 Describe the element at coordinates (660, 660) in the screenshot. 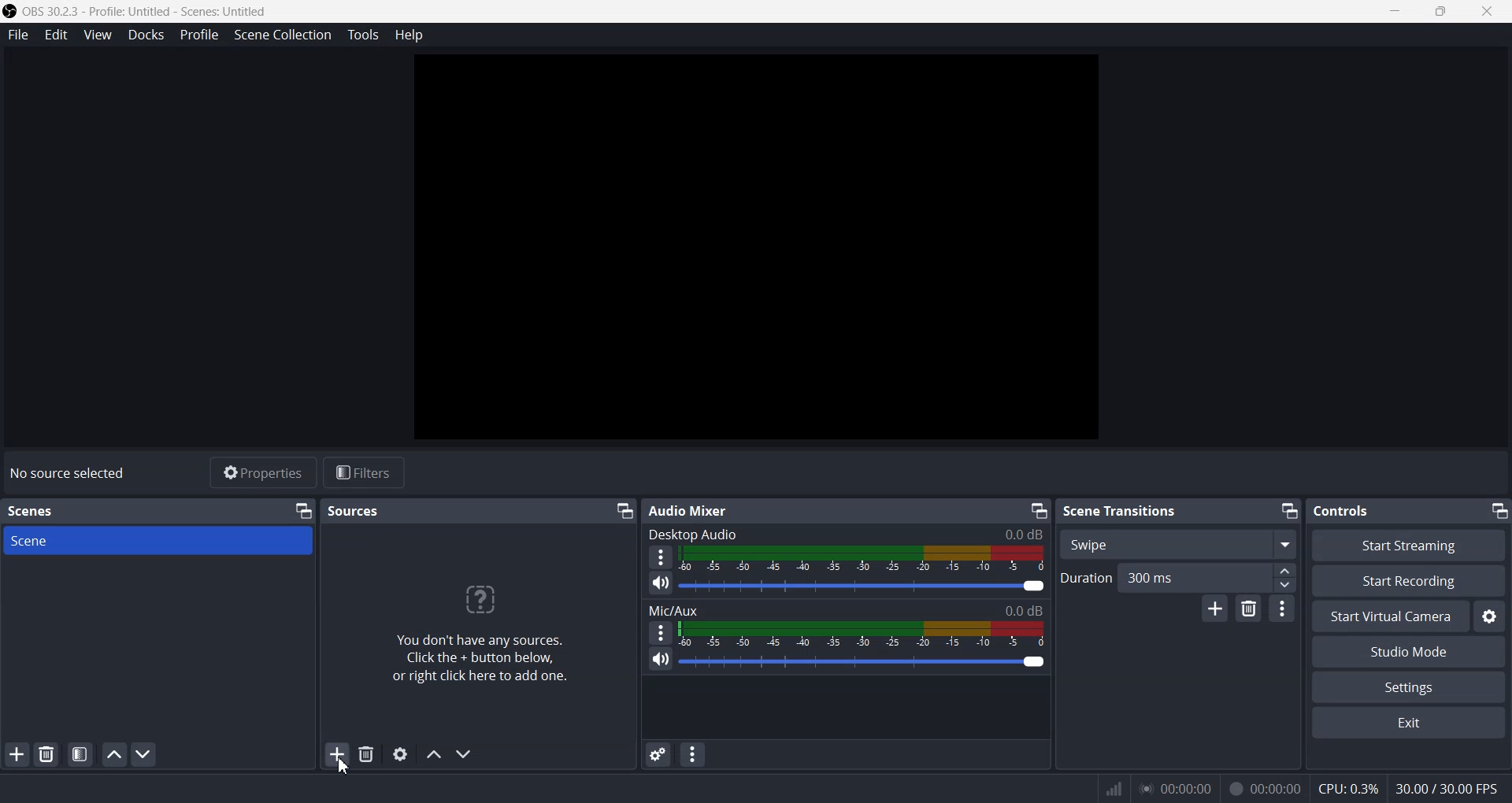

I see `Mute/Unmute` at that location.